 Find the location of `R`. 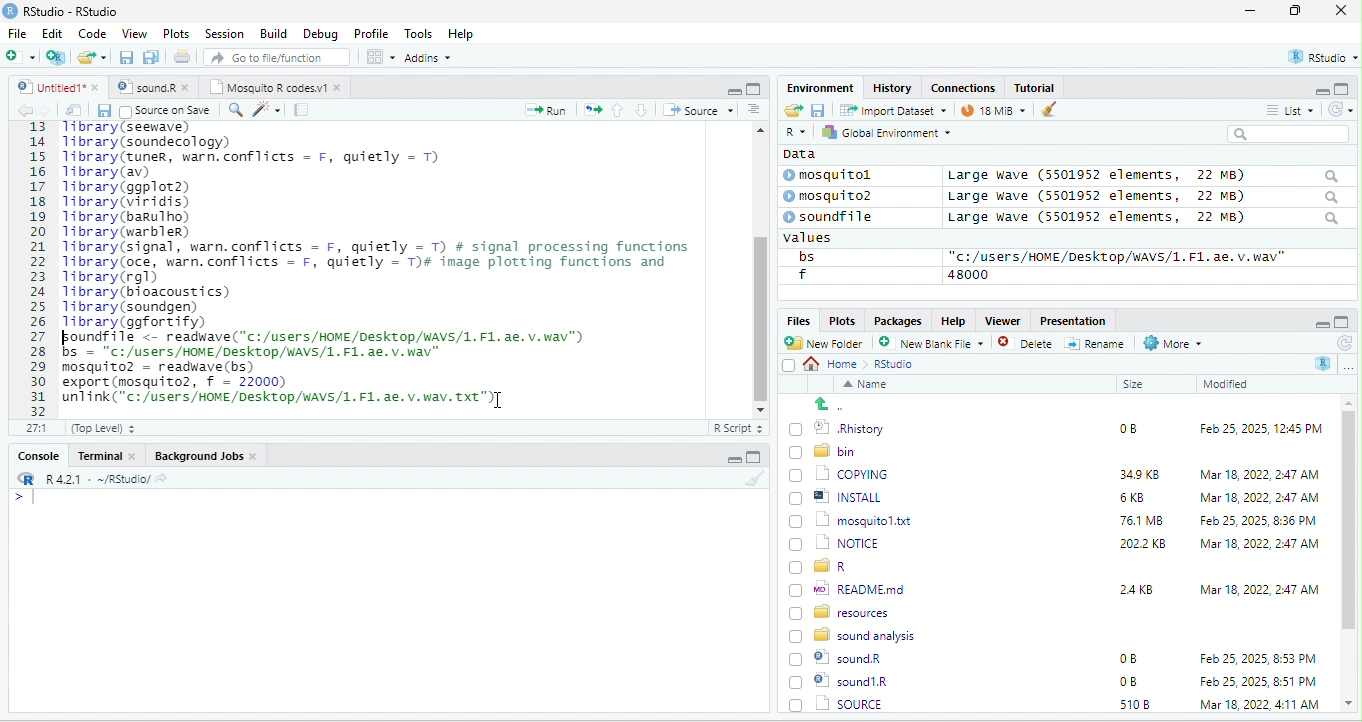

R is located at coordinates (794, 133).